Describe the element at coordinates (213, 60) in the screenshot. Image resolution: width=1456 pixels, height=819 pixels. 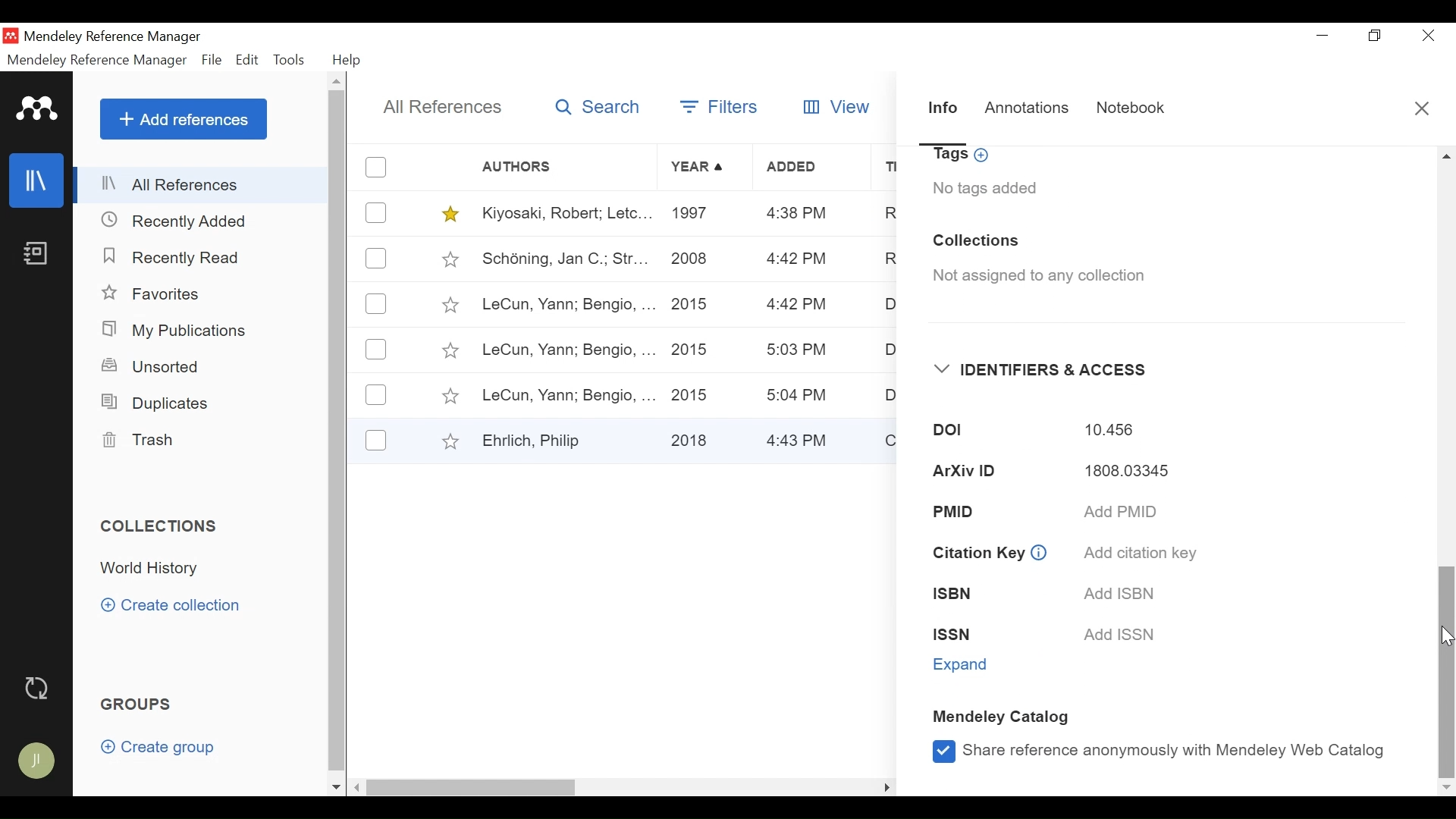
I see `File` at that location.